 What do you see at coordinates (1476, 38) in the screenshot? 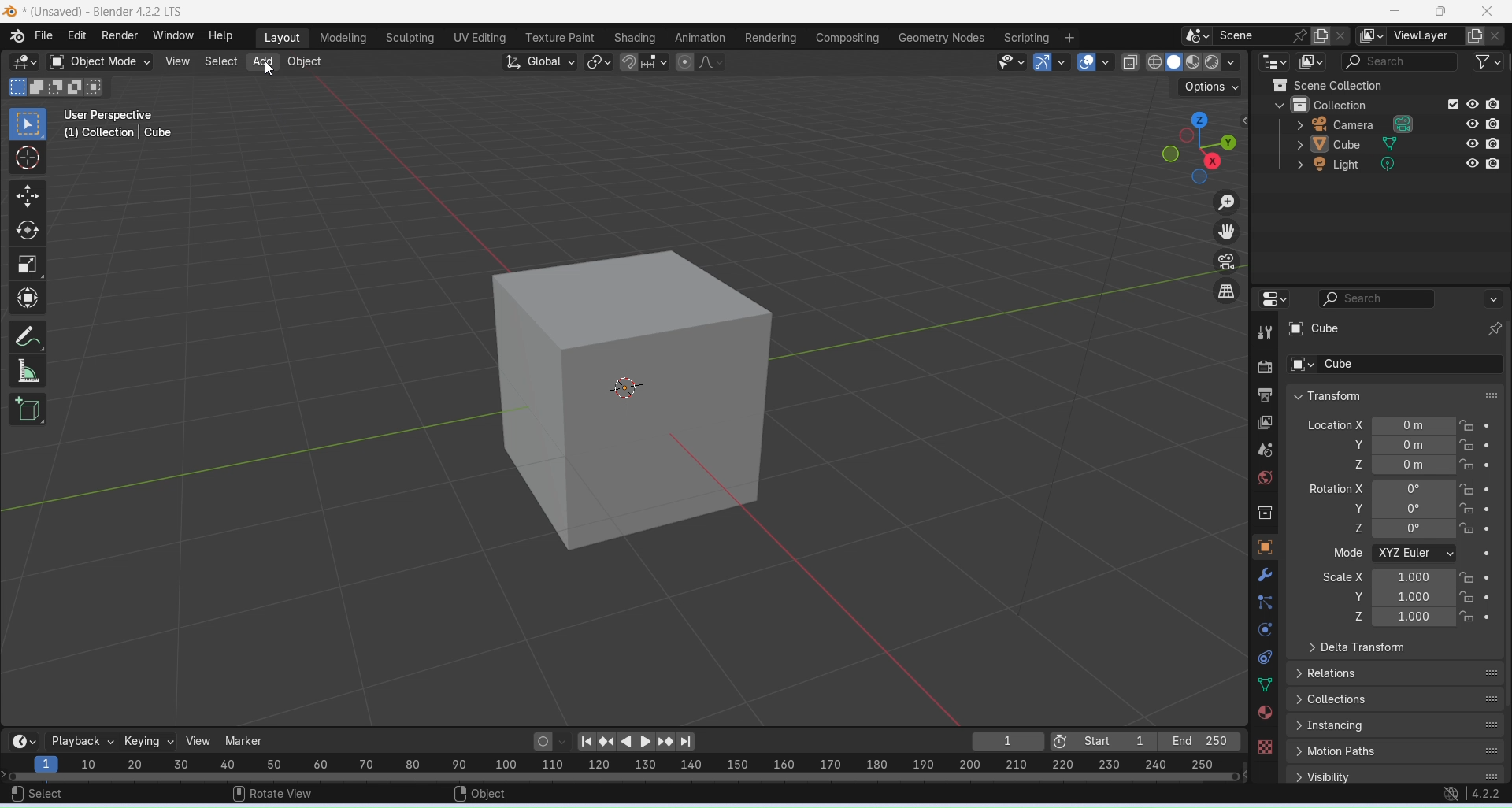
I see `add layer` at bounding box center [1476, 38].